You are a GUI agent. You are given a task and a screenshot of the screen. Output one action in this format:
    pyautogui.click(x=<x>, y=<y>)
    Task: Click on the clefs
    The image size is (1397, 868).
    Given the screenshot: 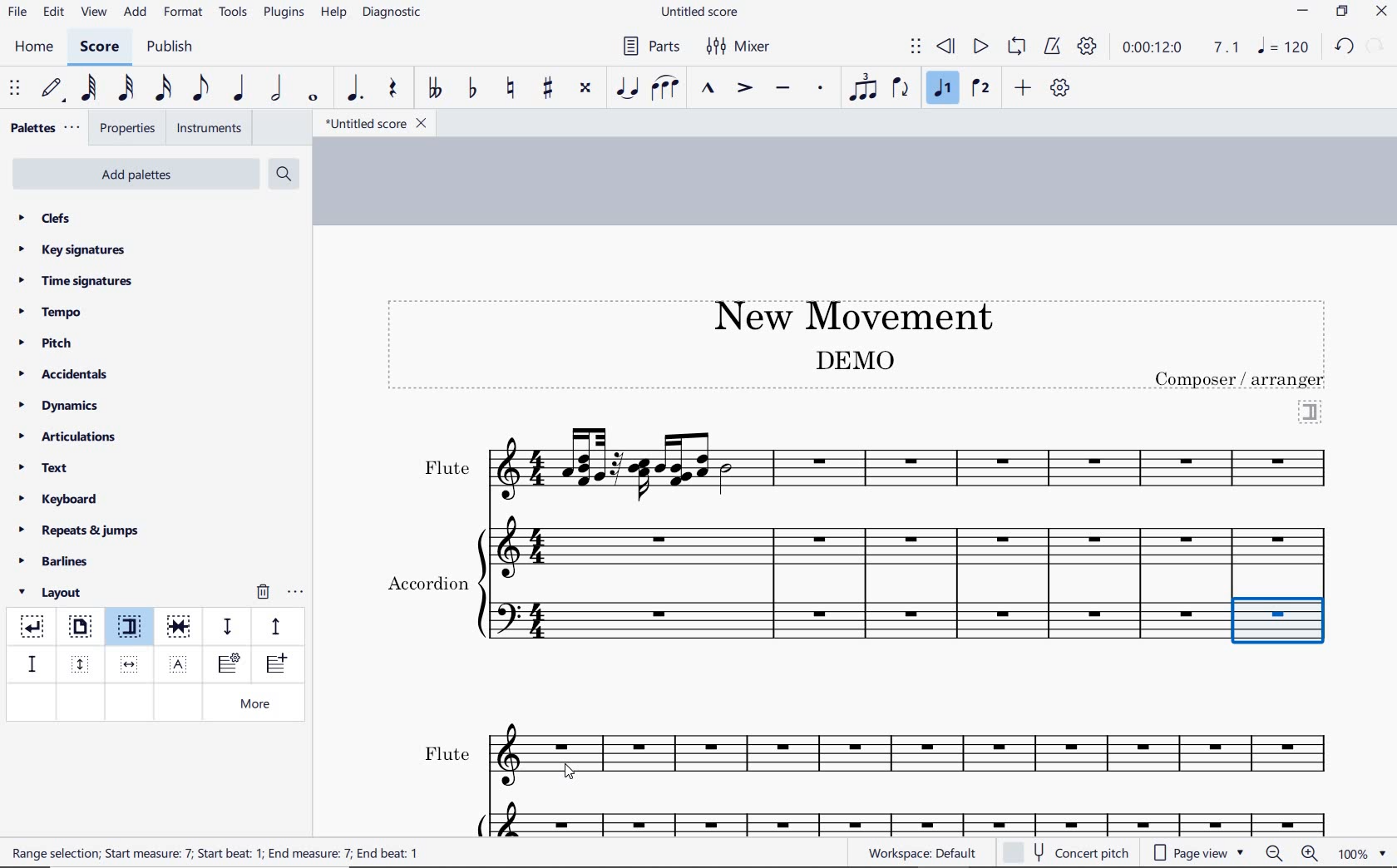 What is the action you would take?
    pyautogui.click(x=46, y=218)
    